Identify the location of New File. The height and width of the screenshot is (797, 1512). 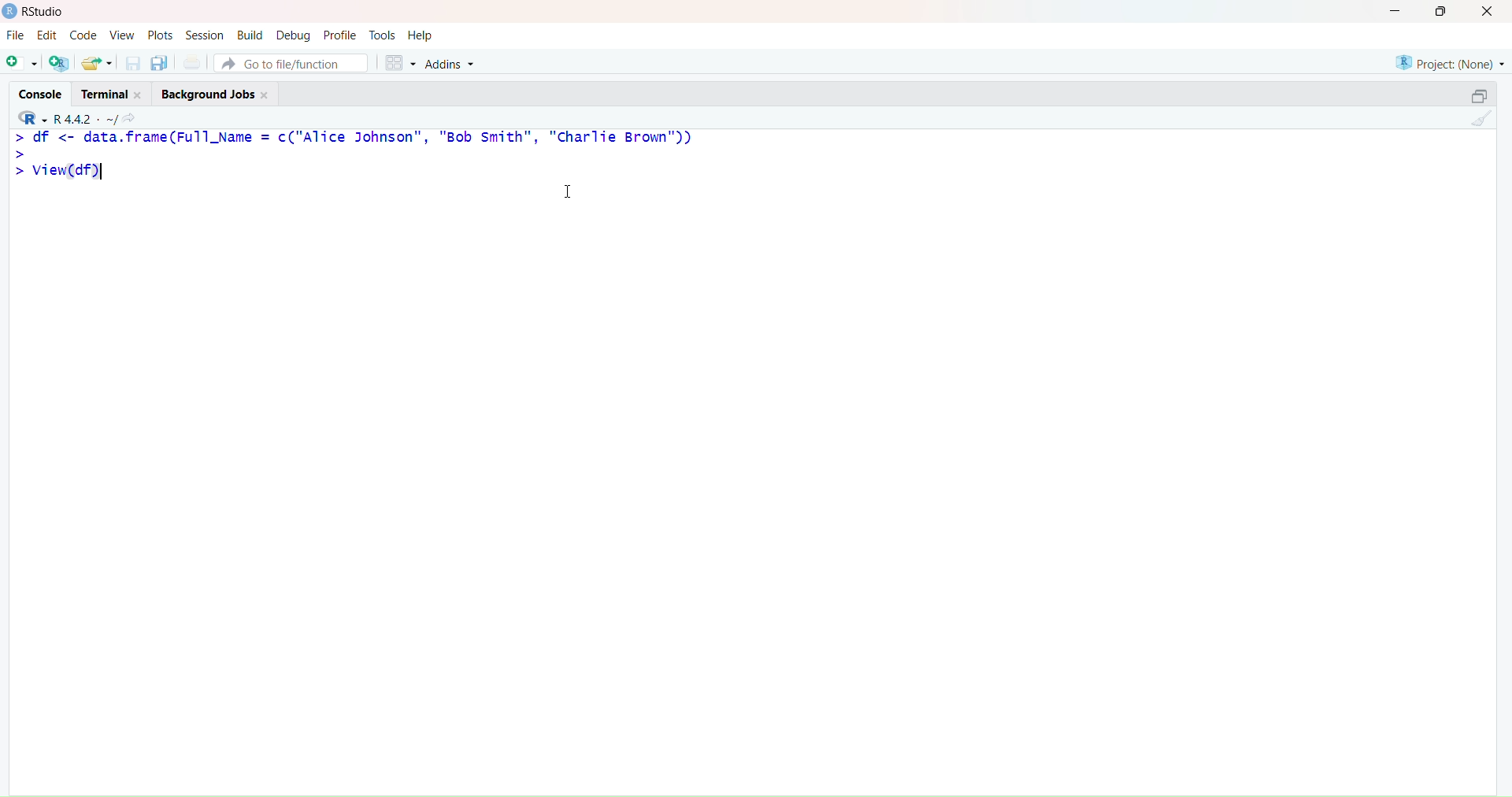
(20, 62).